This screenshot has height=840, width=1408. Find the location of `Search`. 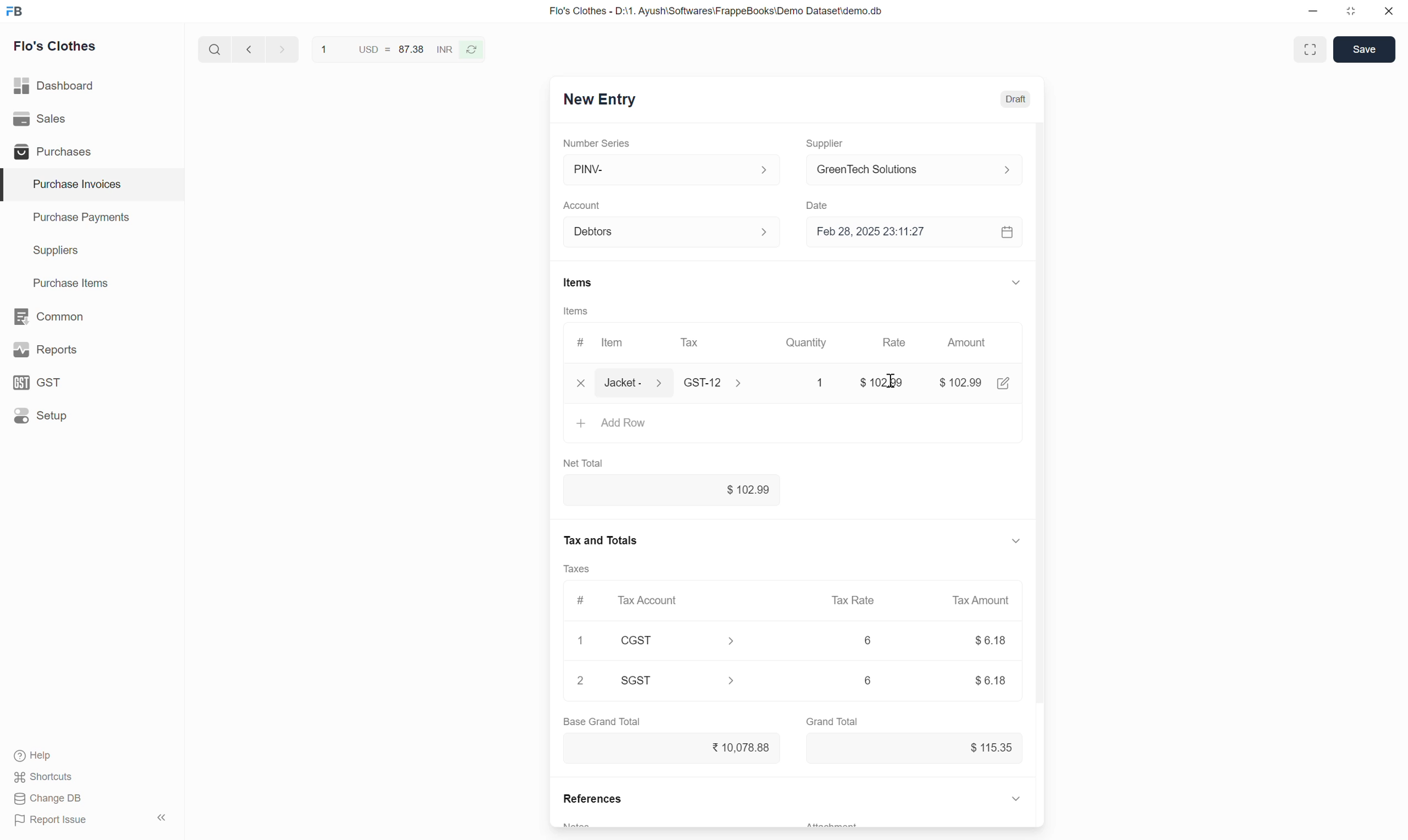

Search is located at coordinates (215, 49).